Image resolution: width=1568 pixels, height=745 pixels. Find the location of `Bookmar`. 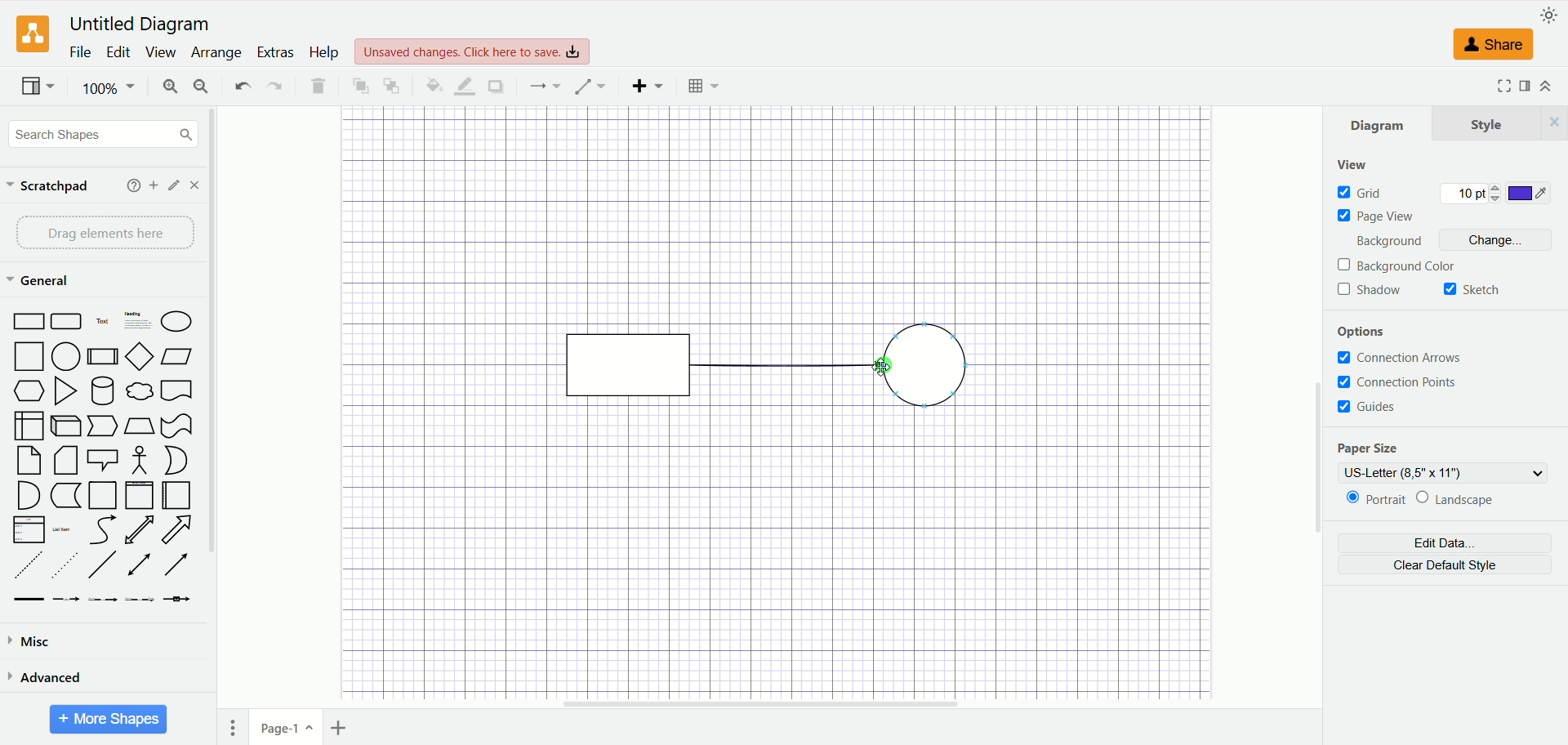

Bookmar is located at coordinates (178, 393).